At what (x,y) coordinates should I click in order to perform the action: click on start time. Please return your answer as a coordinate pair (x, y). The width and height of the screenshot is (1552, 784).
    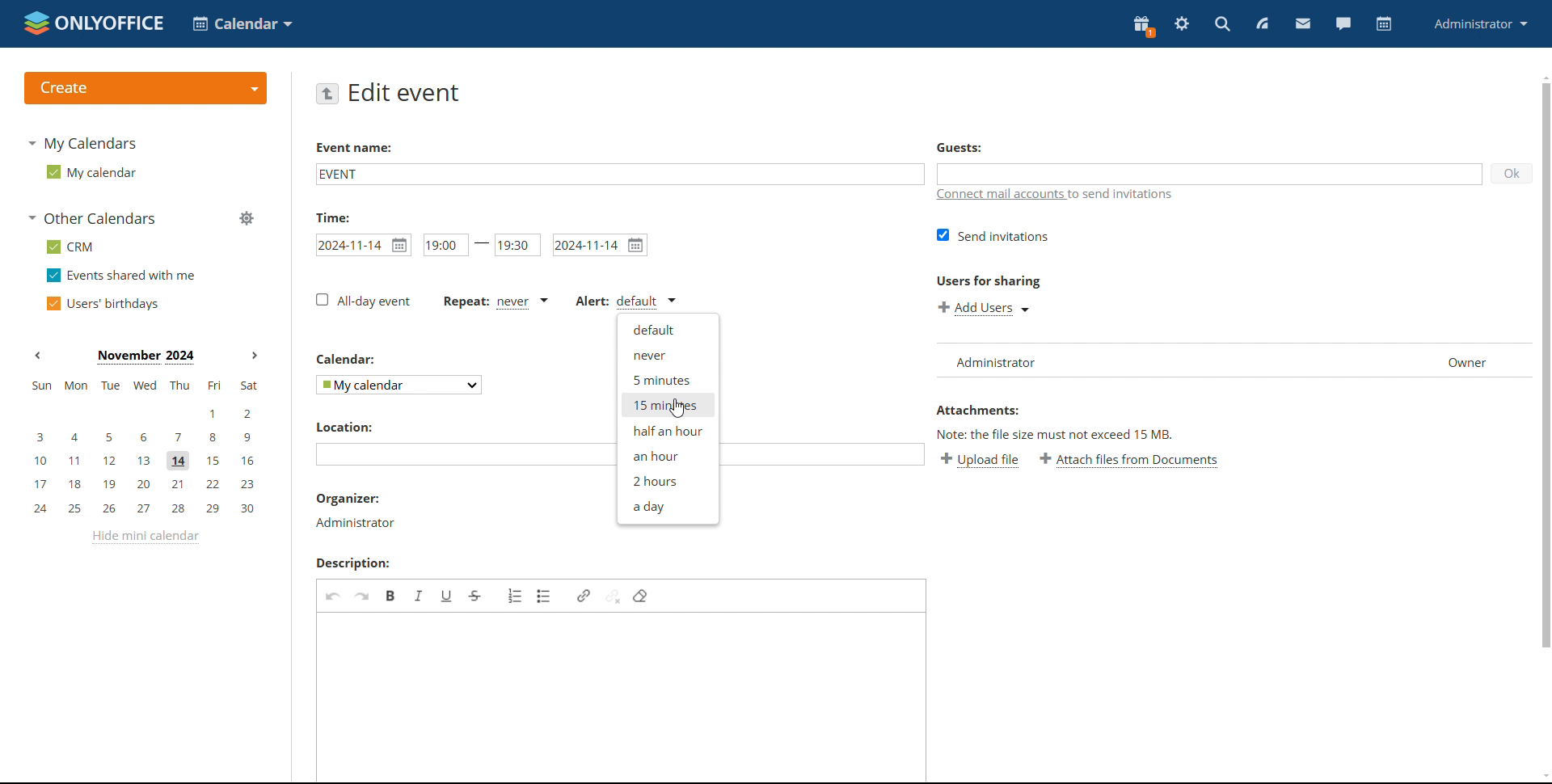
    Looking at the image, I should click on (364, 245).